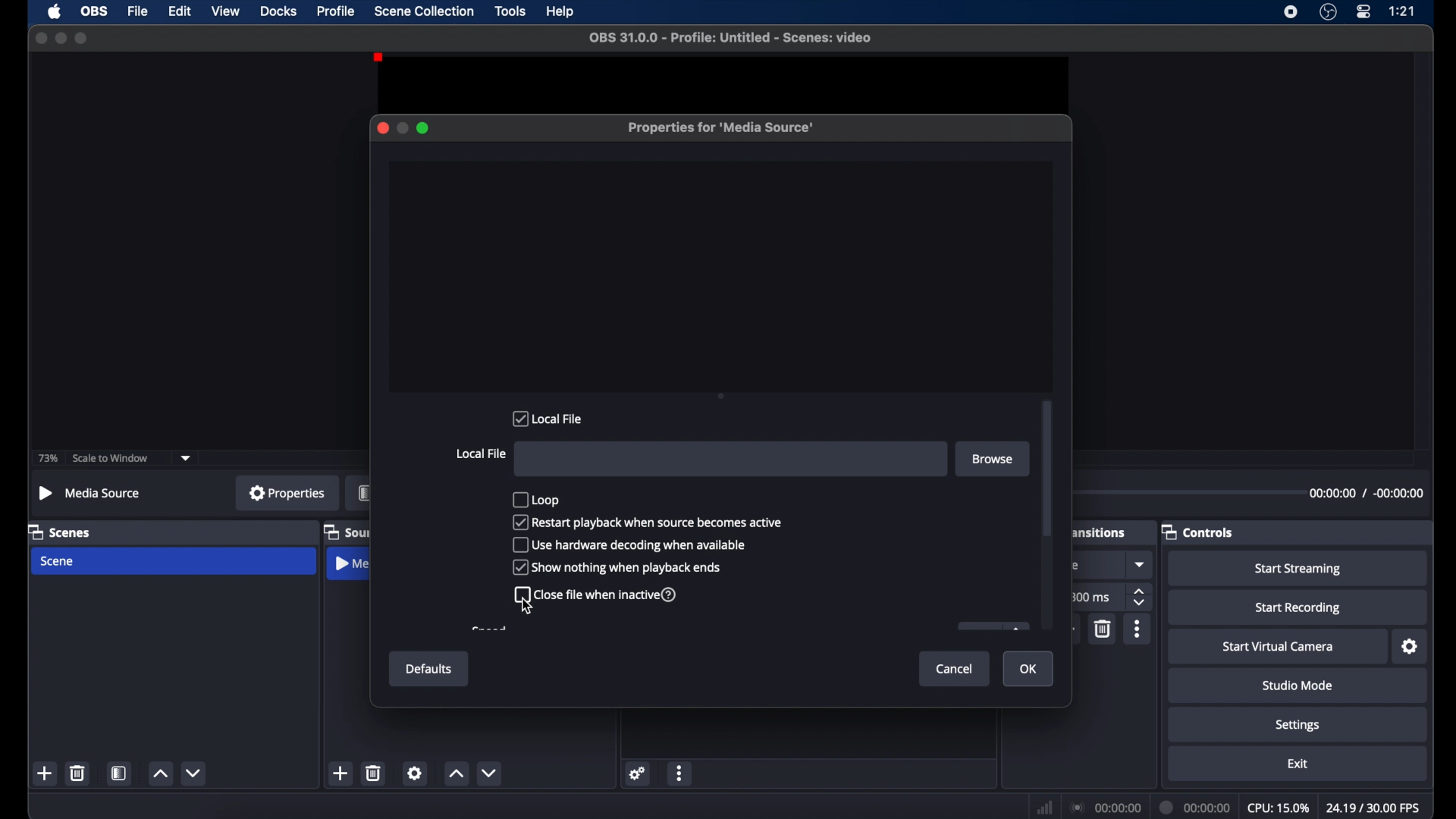  What do you see at coordinates (56, 561) in the screenshot?
I see `scene` at bounding box center [56, 561].